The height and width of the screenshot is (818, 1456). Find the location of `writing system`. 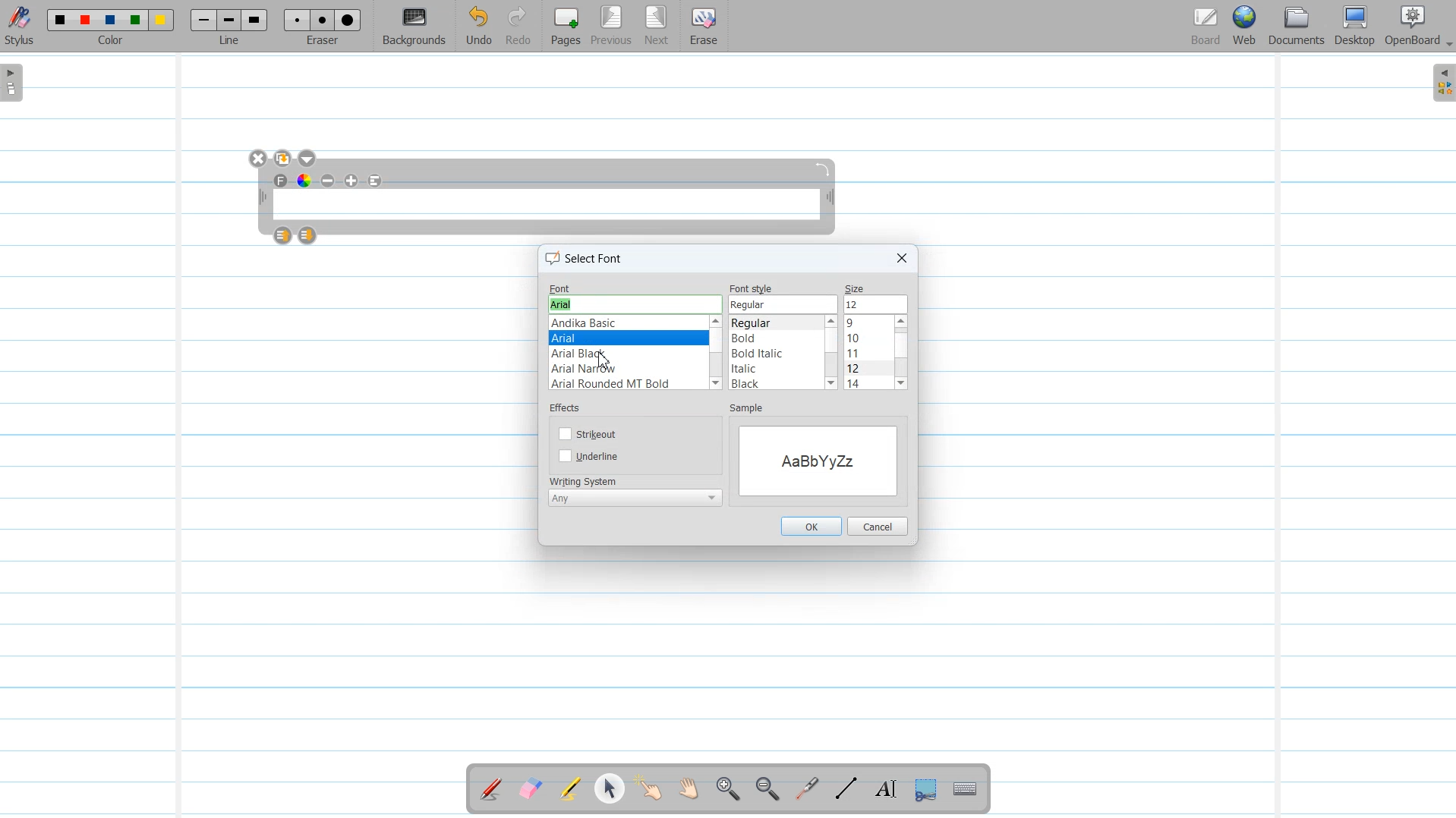

writing system is located at coordinates (585, 480).